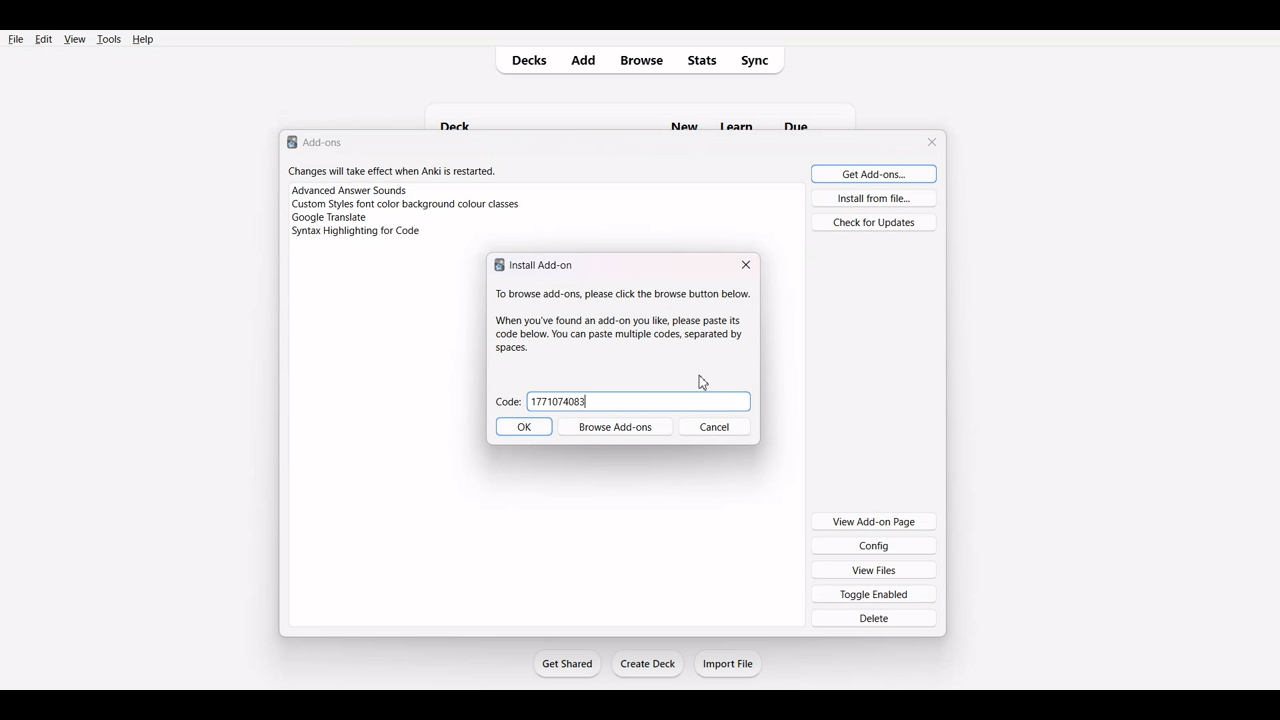  What do you see at coordinates (742, 114) in the screenshot?
I see `` at bounding box center [742, 114].